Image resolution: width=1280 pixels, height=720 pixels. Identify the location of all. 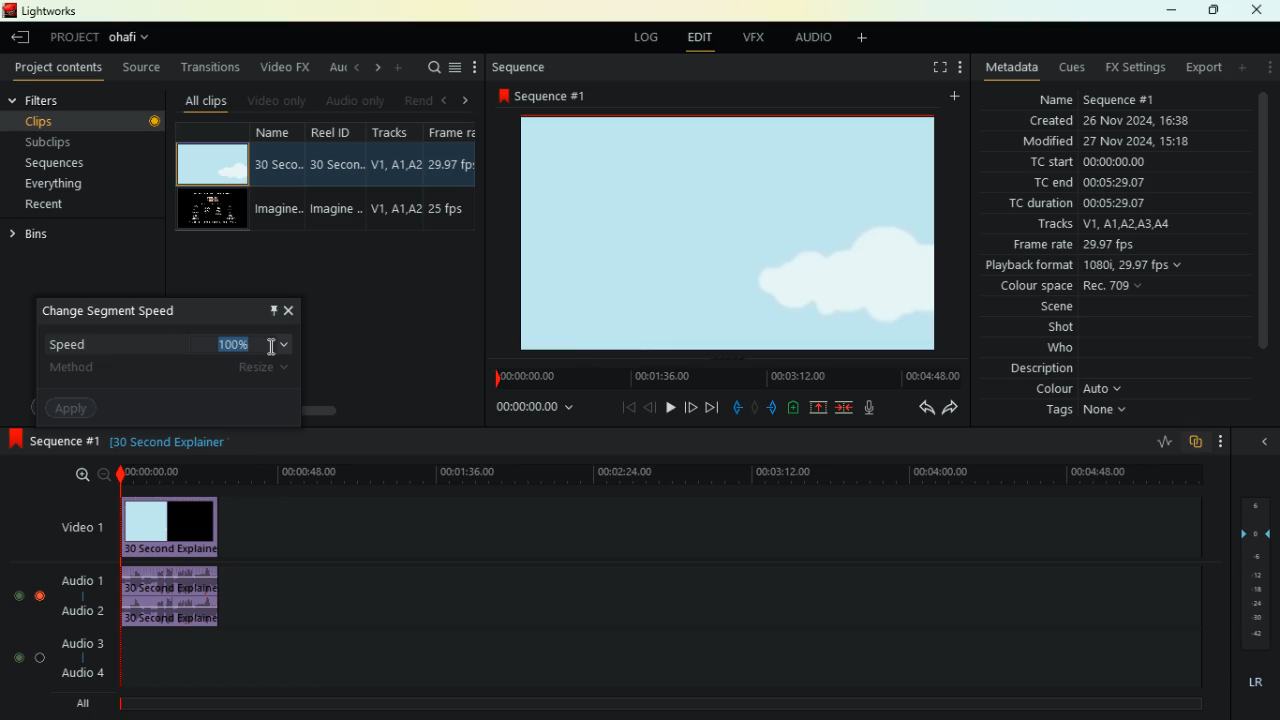
(86, 706).